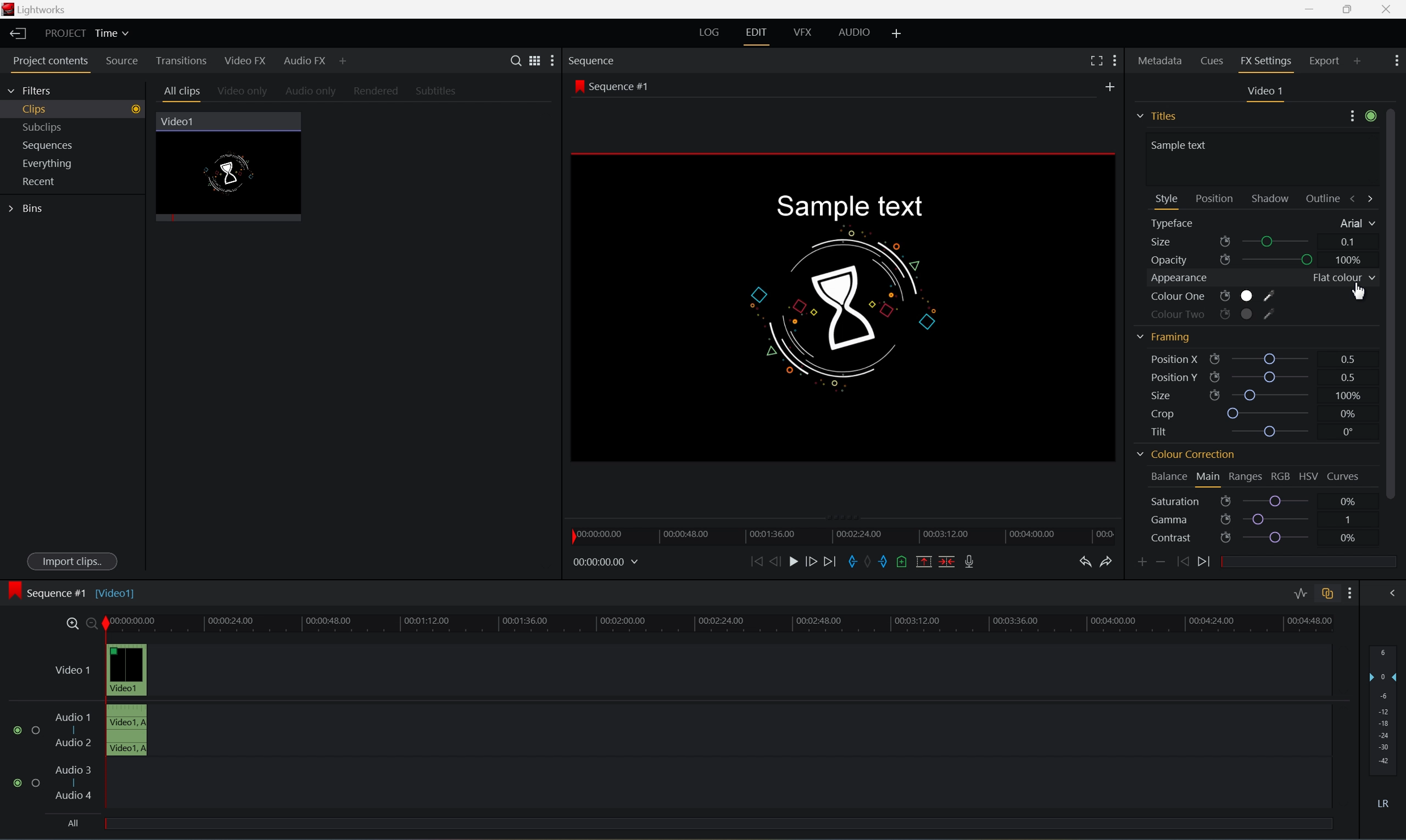 Image resolution: width=1406 pixels, height=840 pixels. I want to click on HSV, so click(1307, 477).